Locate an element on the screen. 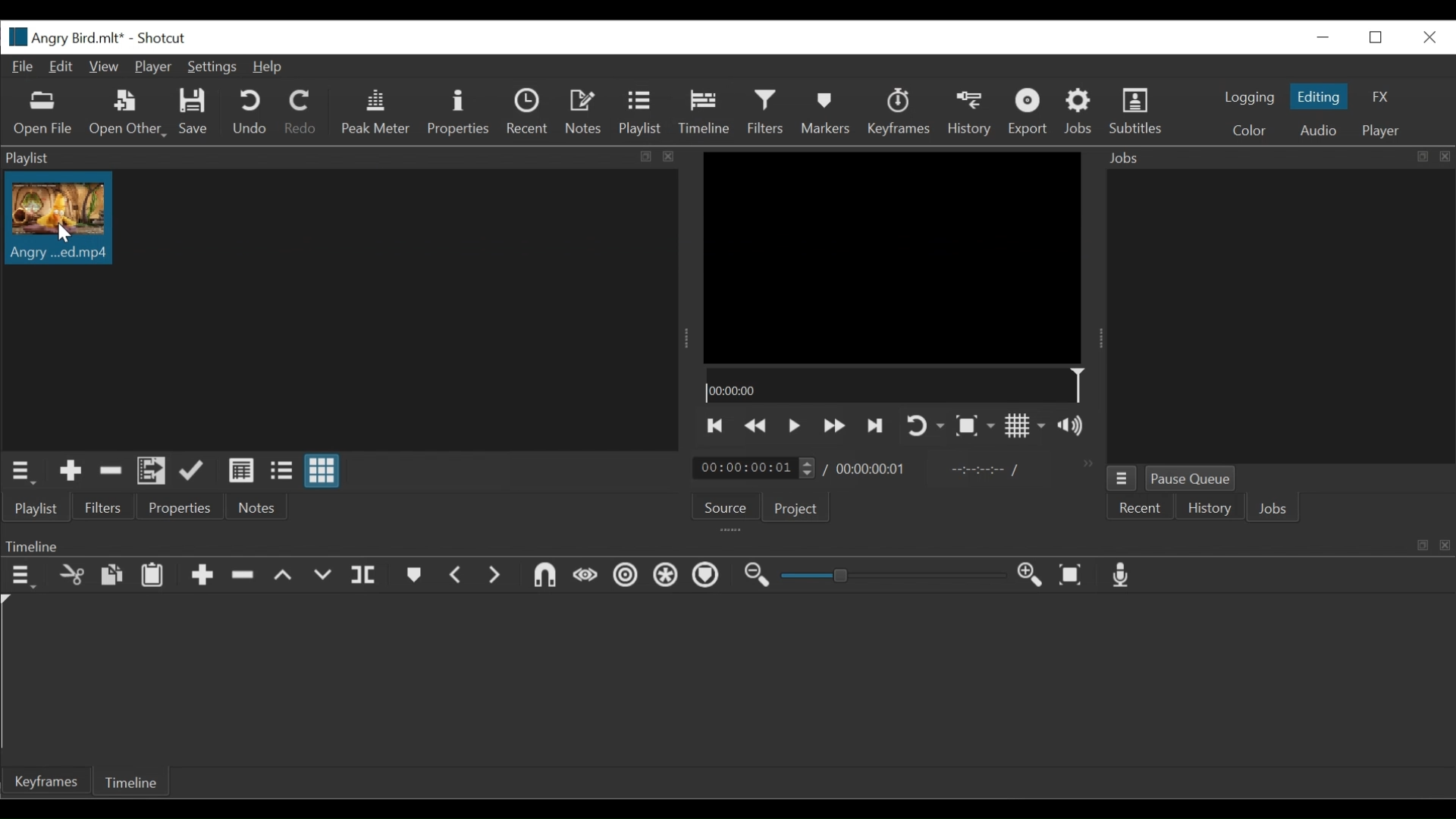 The image size is (1456, 819). Jobs Menu is located at coordinates (1121, 479).